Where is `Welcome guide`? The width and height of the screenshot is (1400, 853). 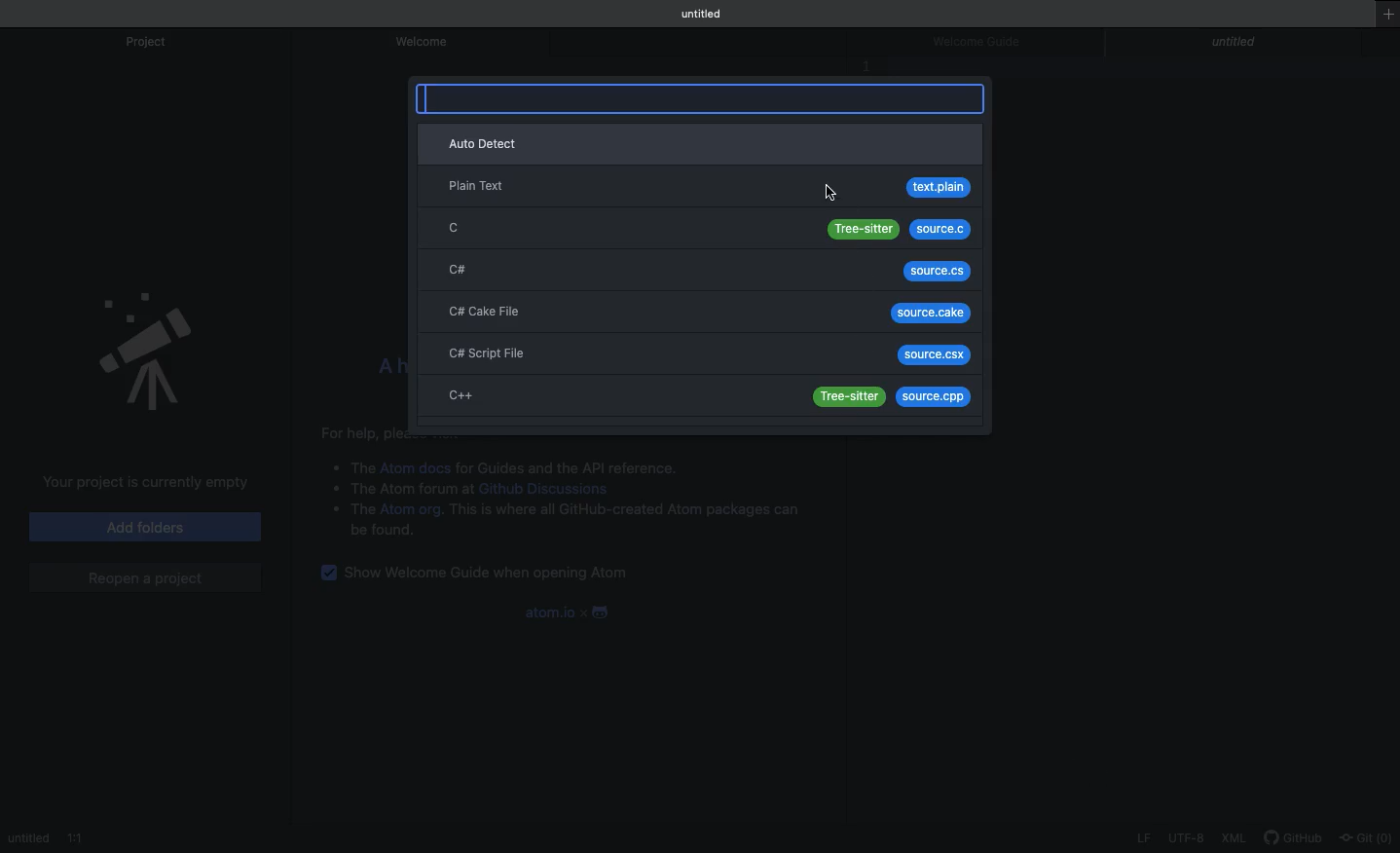
Welcome guide is located at coordinates (983, 41).